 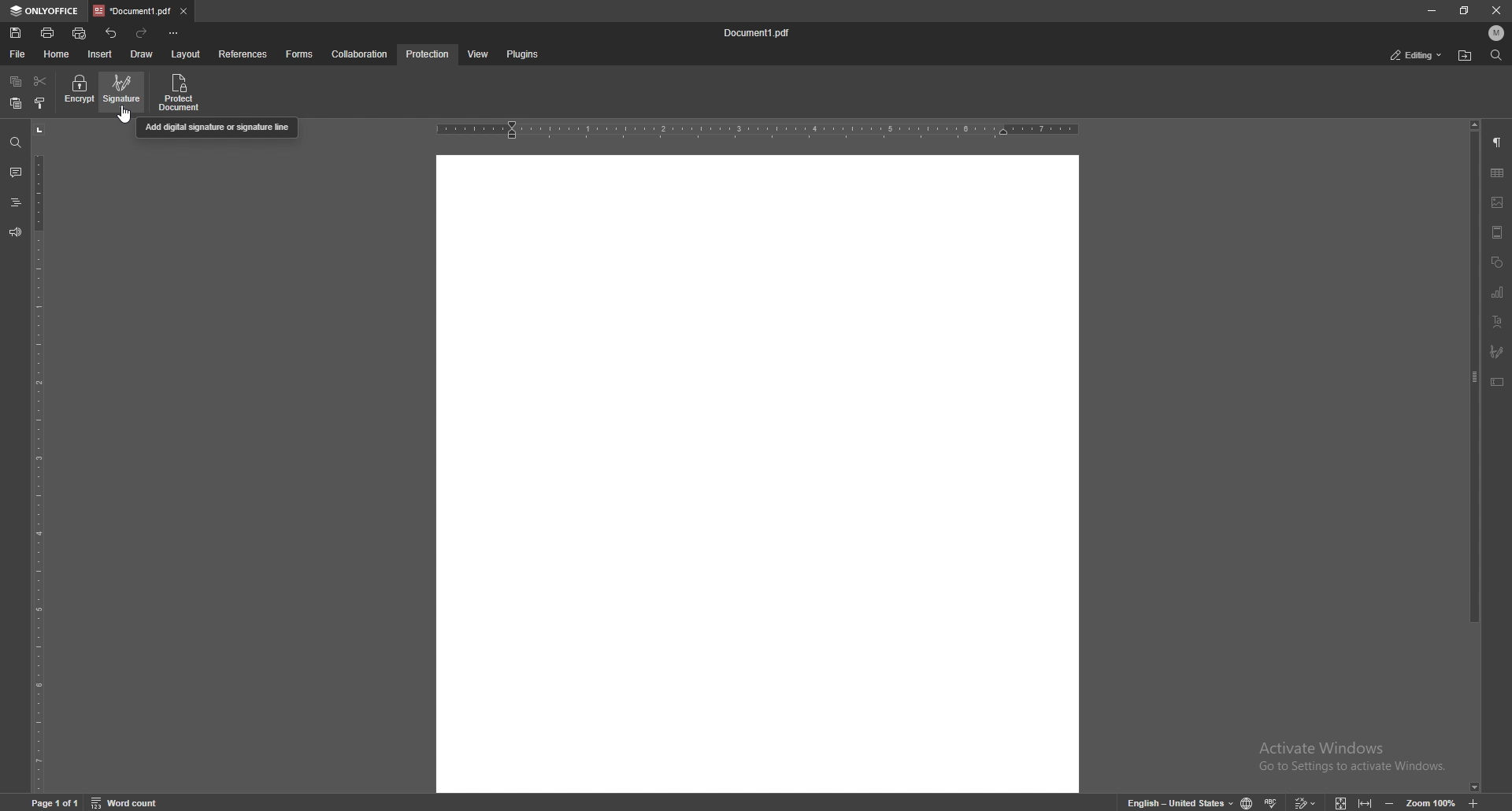 I want to click on redo, so click(x=143, y=33).